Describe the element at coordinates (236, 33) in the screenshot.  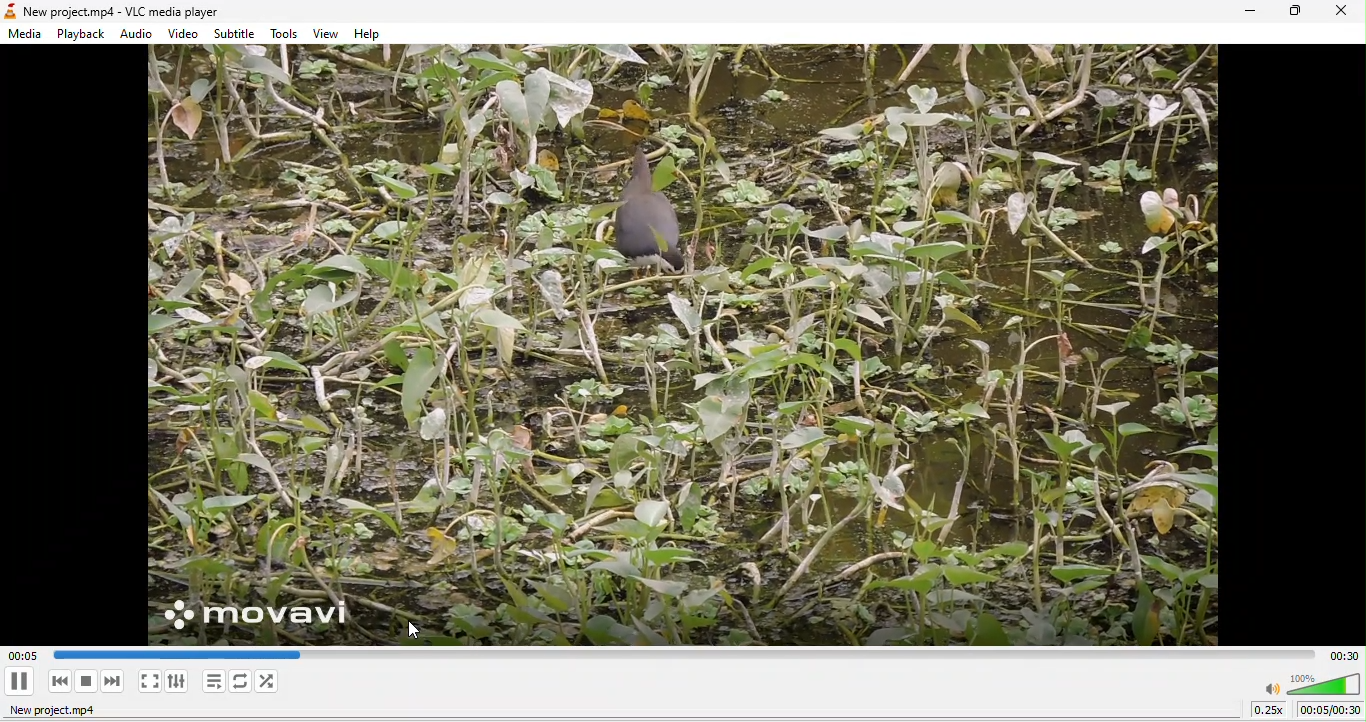
I see `subtitle` at that location.